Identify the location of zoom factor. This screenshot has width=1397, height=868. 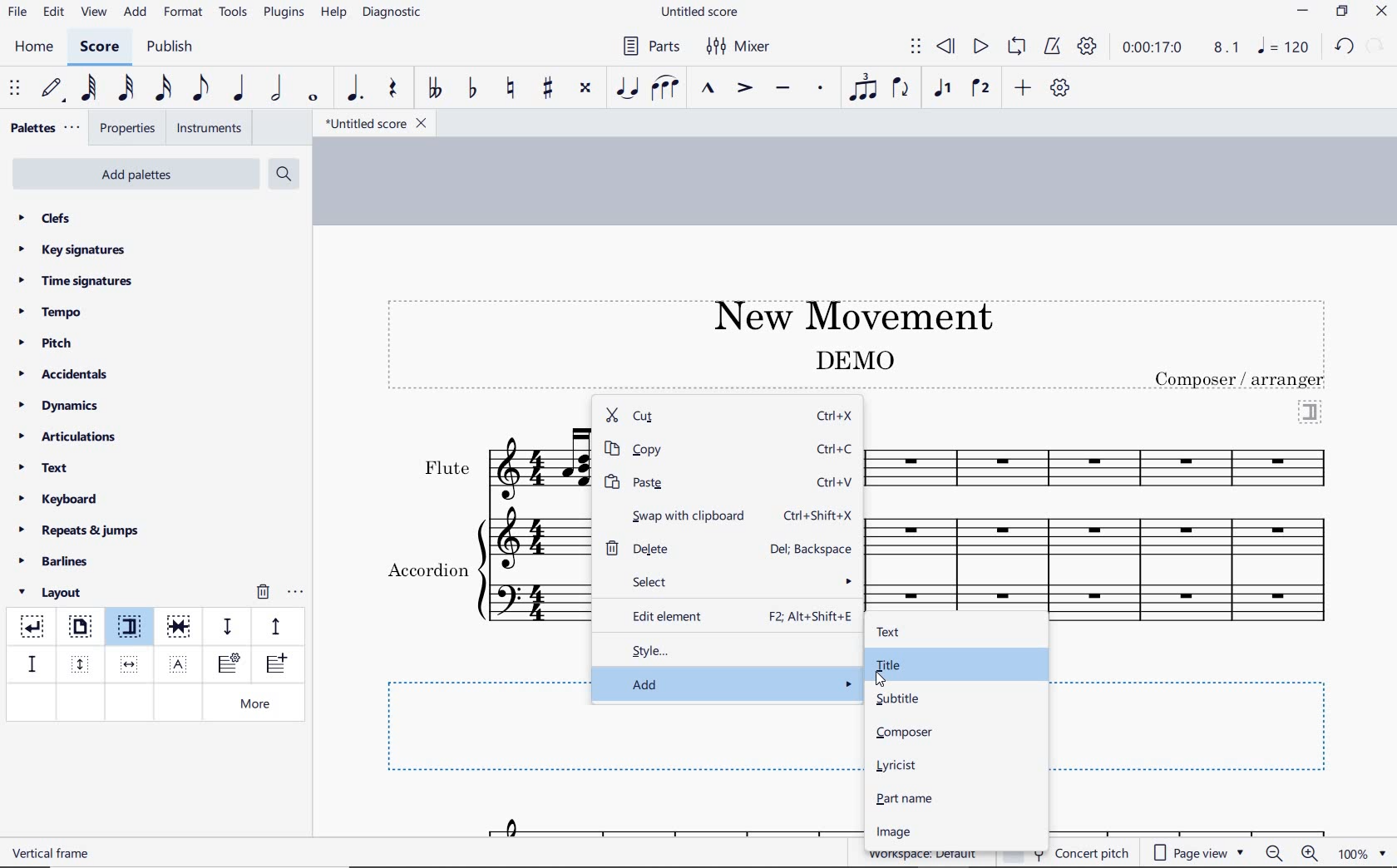
(1362, 853).